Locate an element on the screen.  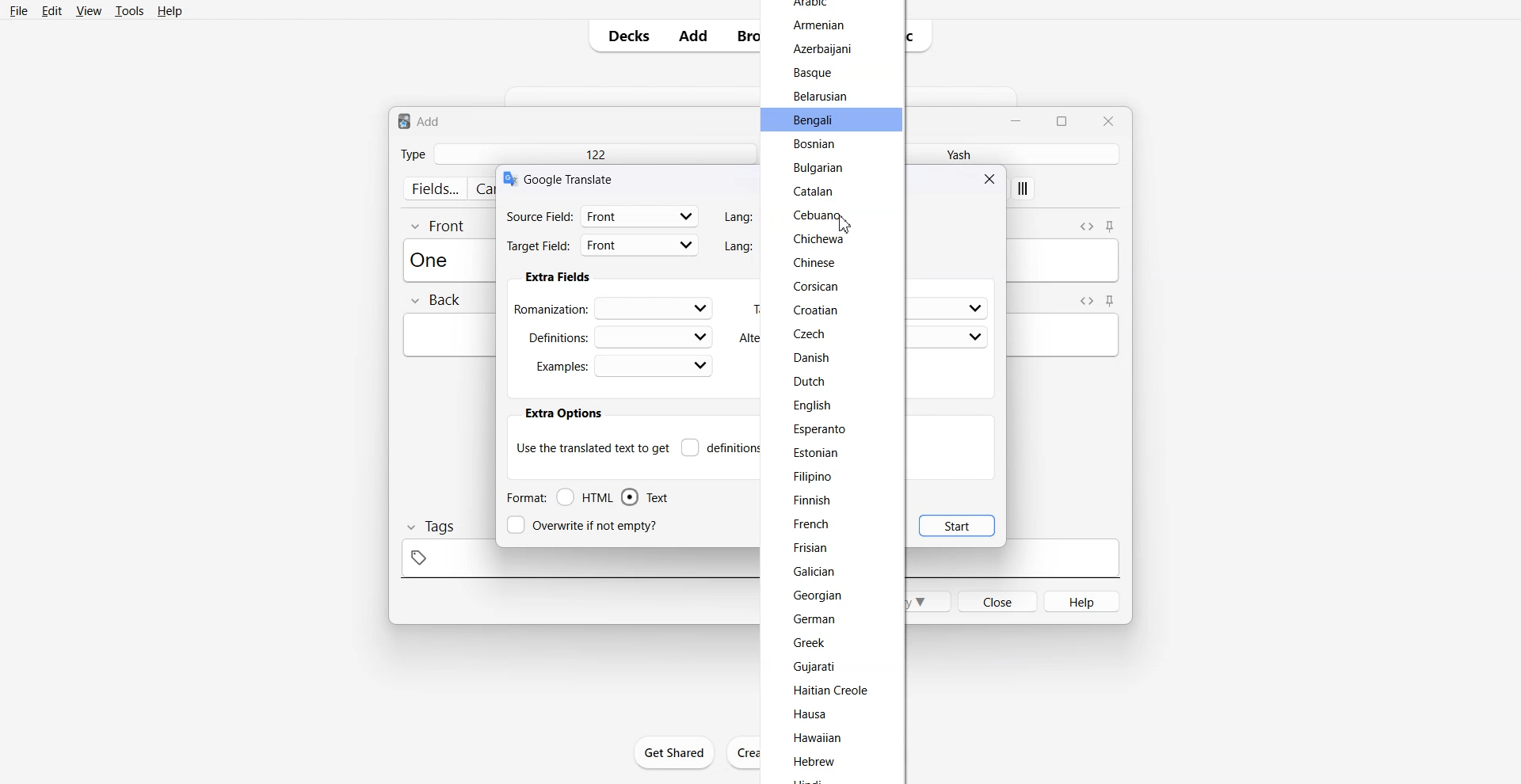
Start is located at coordinates (957, 525).